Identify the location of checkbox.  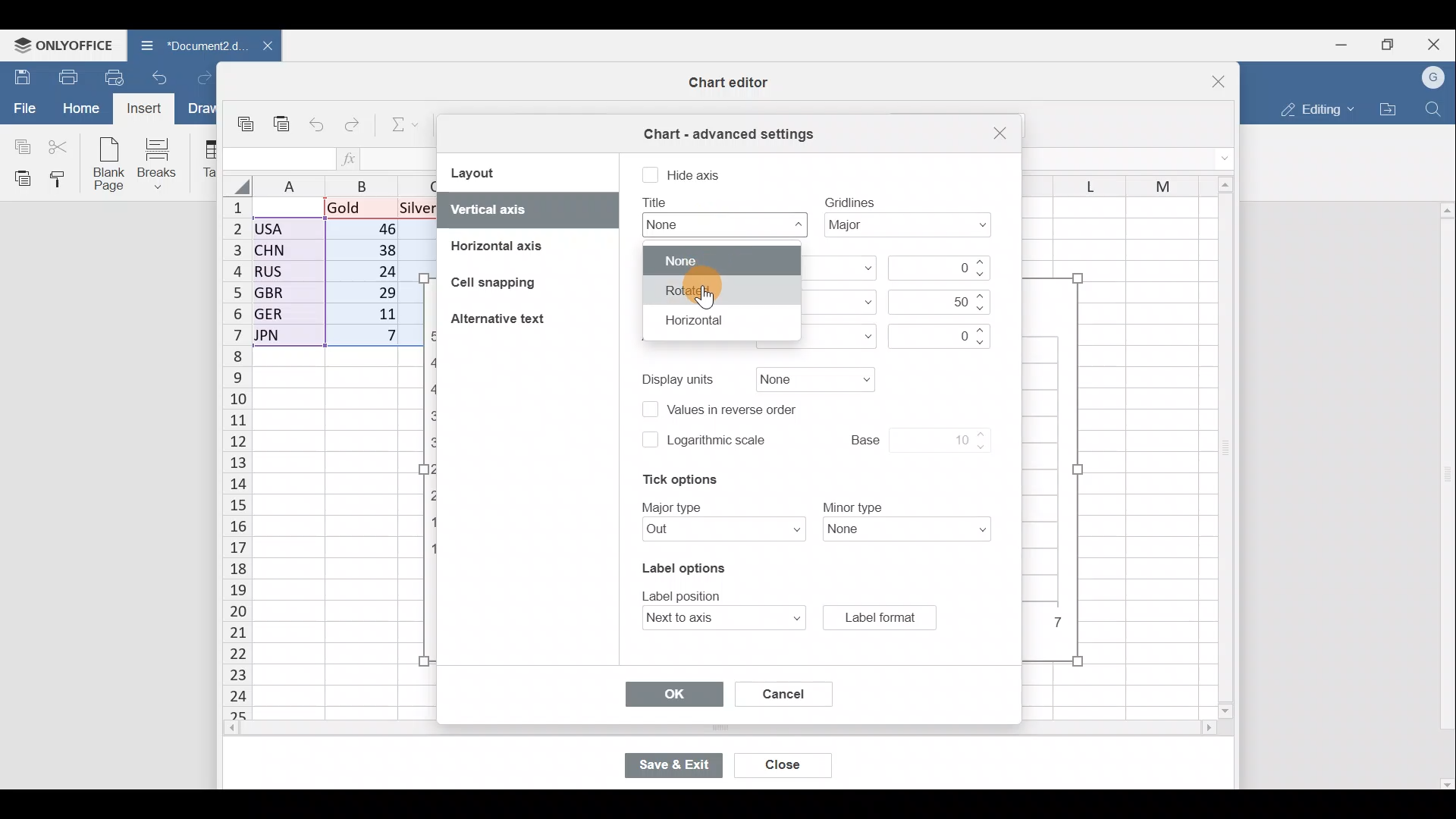
(648, 409).